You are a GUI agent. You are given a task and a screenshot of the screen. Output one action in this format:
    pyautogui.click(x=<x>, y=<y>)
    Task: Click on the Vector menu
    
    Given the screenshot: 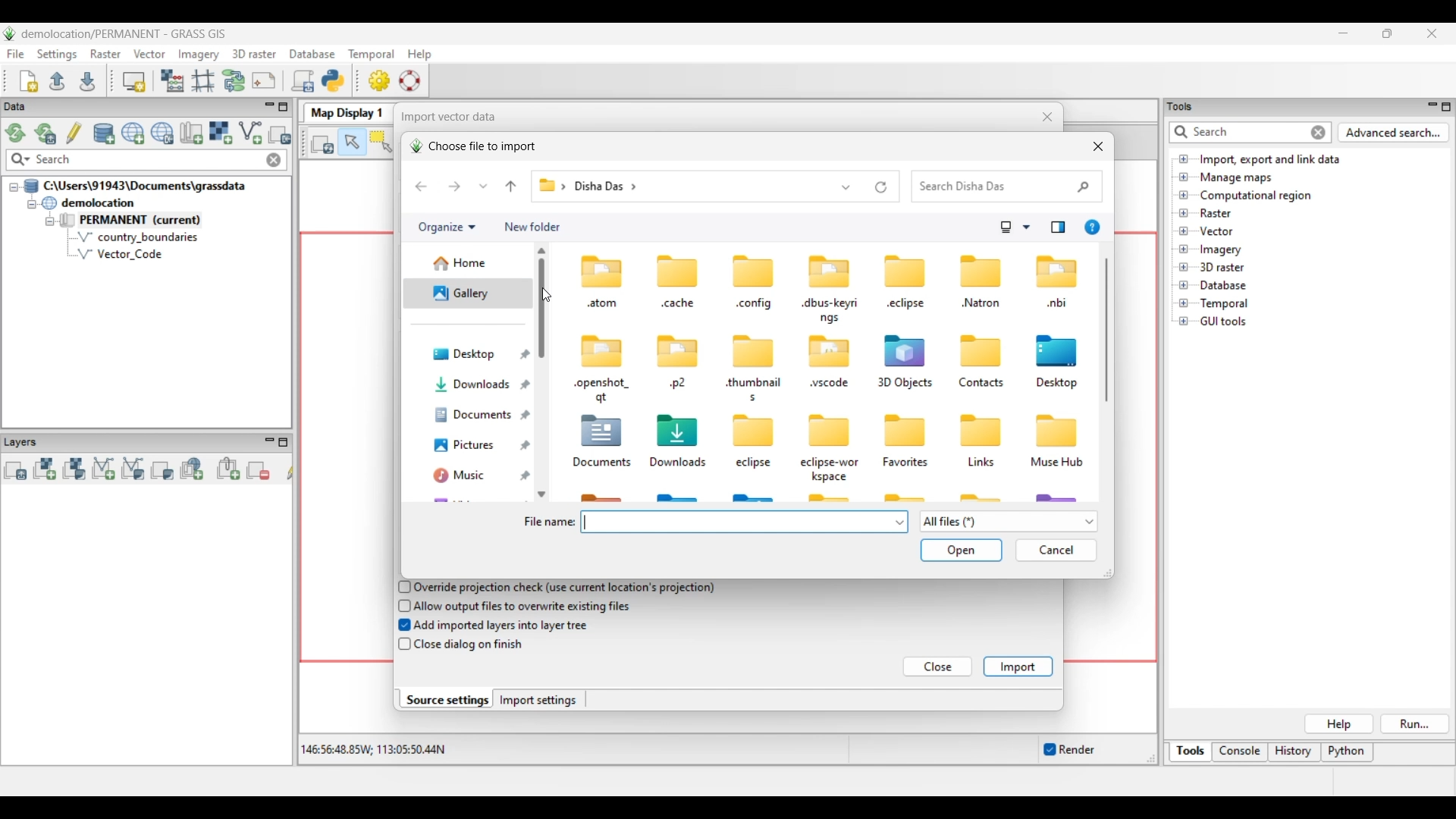 What is the action you would take?
    pyautogui.click(x=149, y=54)
    